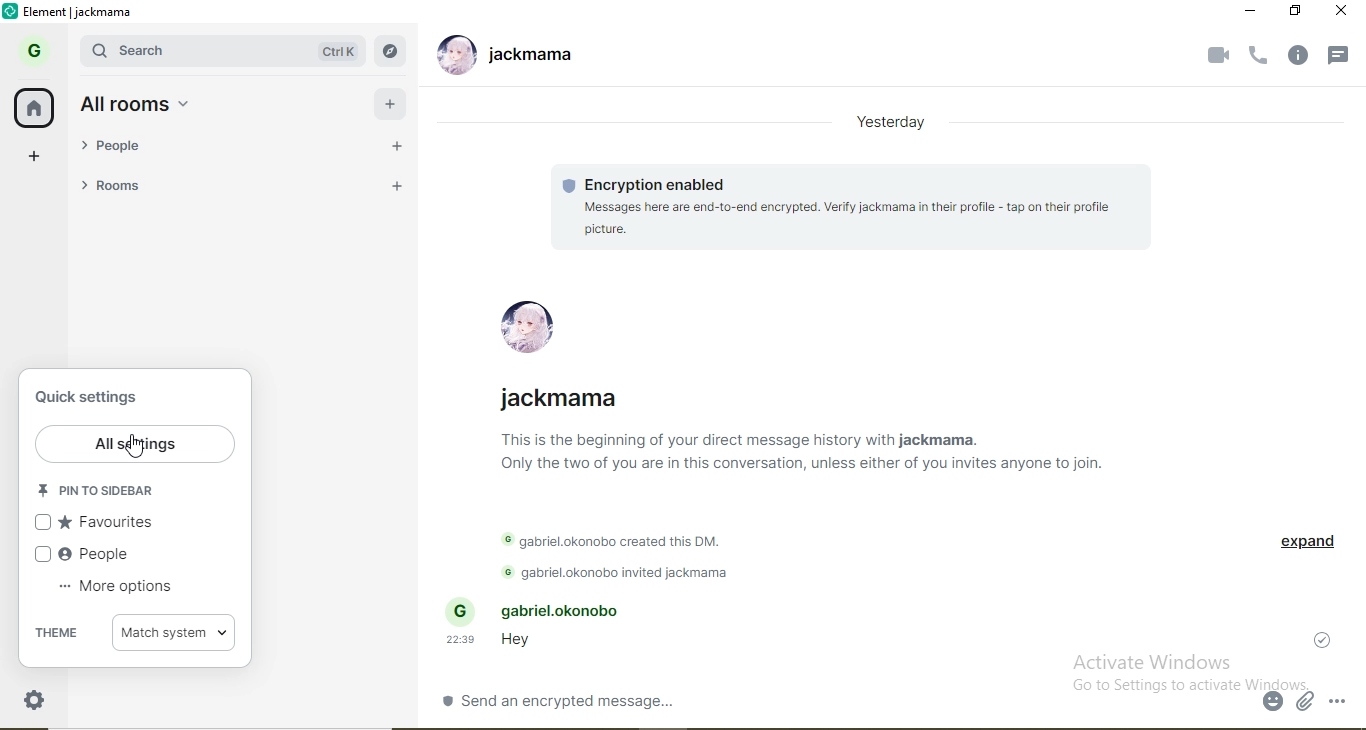  Describe the element at coordinates (832, 462) in the screenshot. I see `text 1` at that location.